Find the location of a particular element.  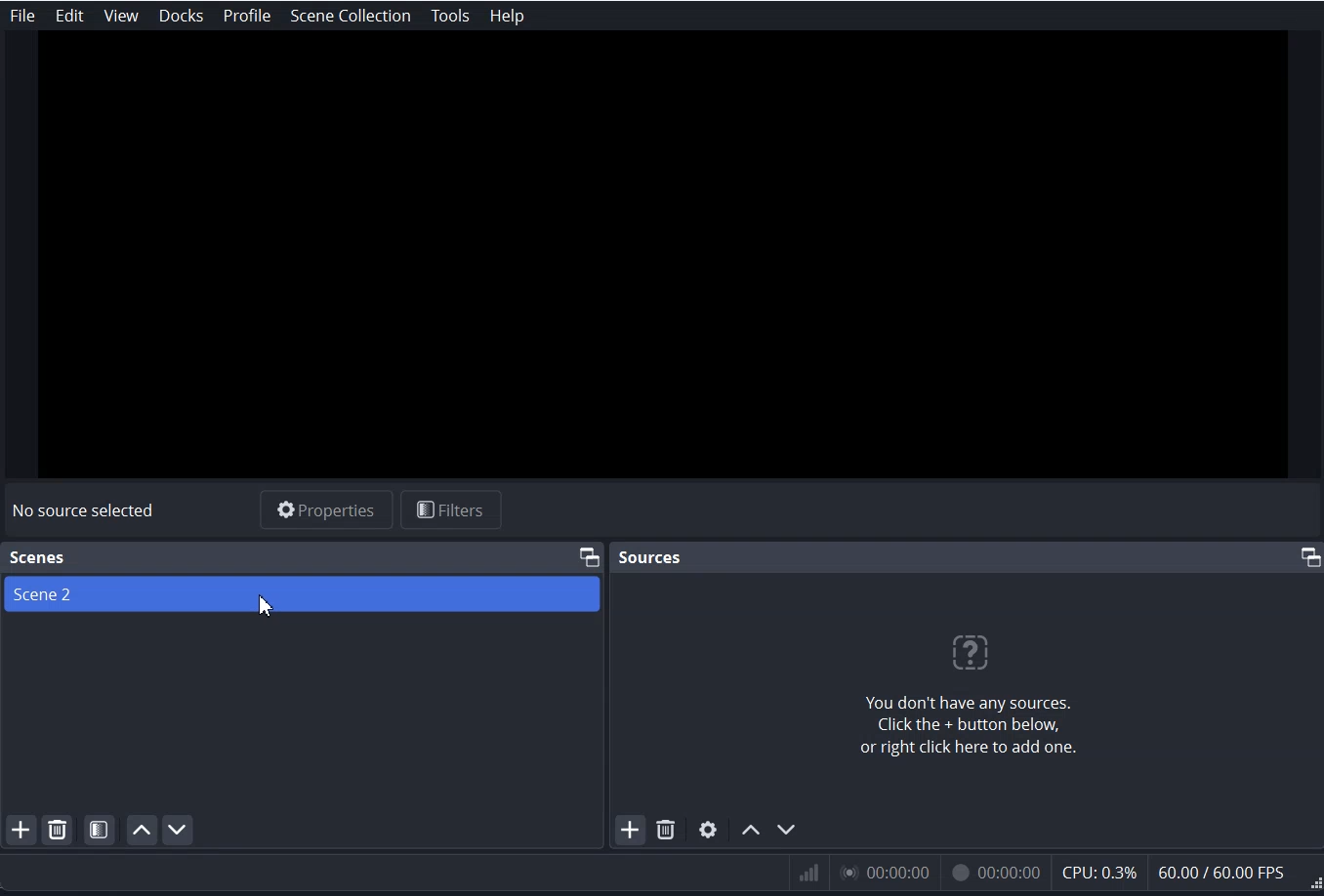

Add Source is located at coordinates (631, 829).